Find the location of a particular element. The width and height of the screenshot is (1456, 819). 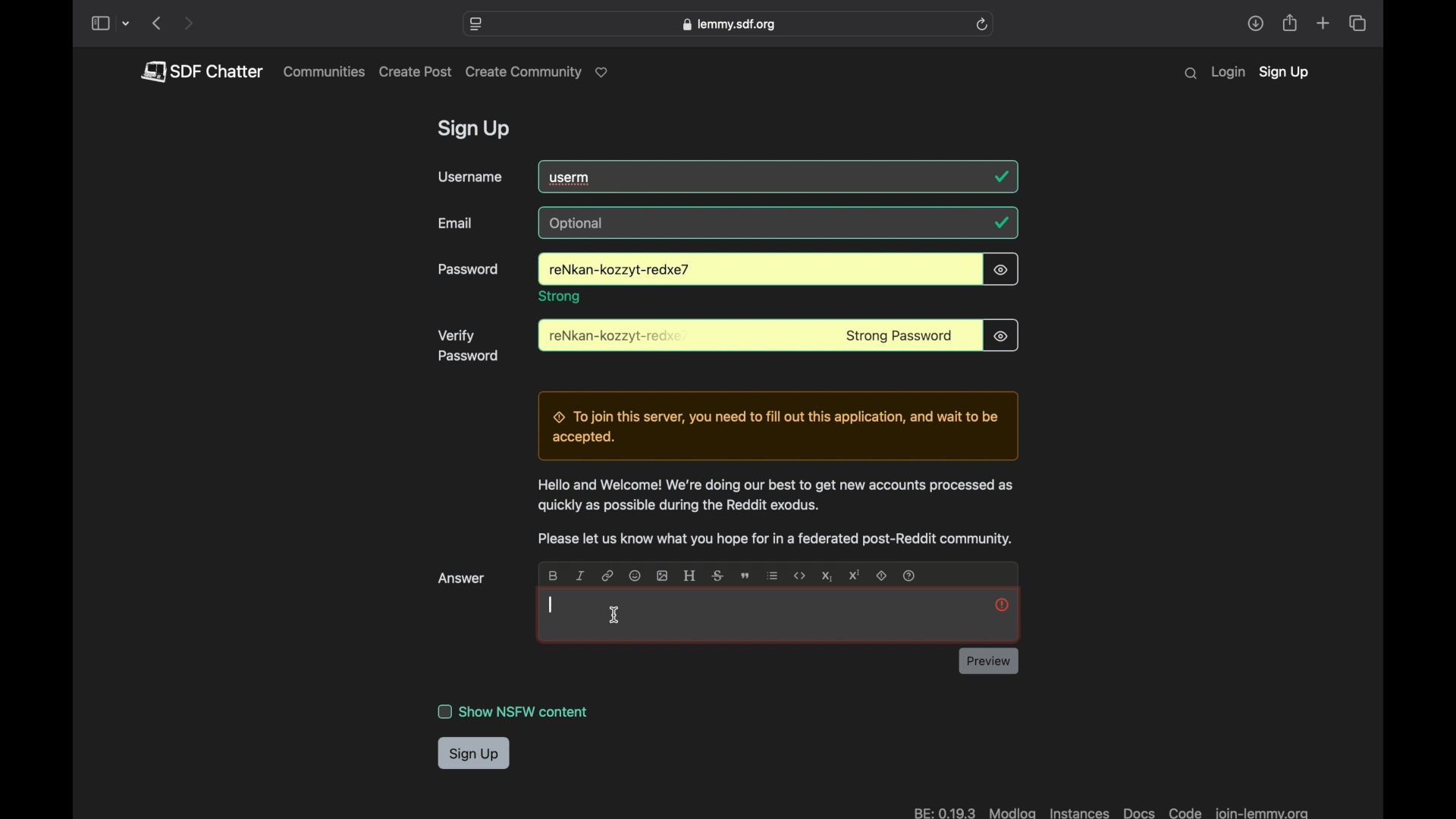

check mark is located at coordinates (1001, 222).